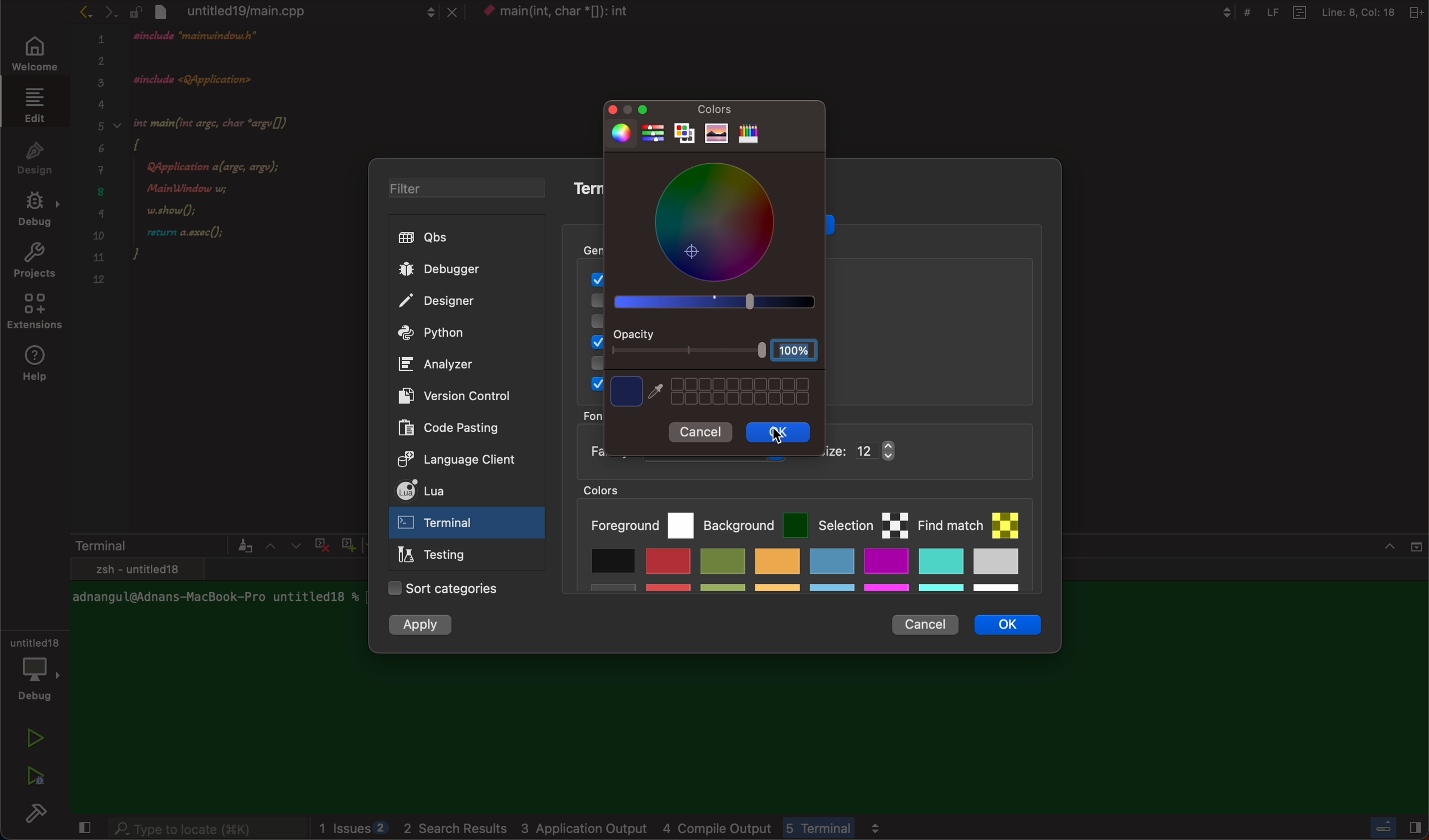 The image size is (1429, 840). What do you see at coordinates (780, 432) in the screenshot?
I see `ok` at bounding box center [780, 432].